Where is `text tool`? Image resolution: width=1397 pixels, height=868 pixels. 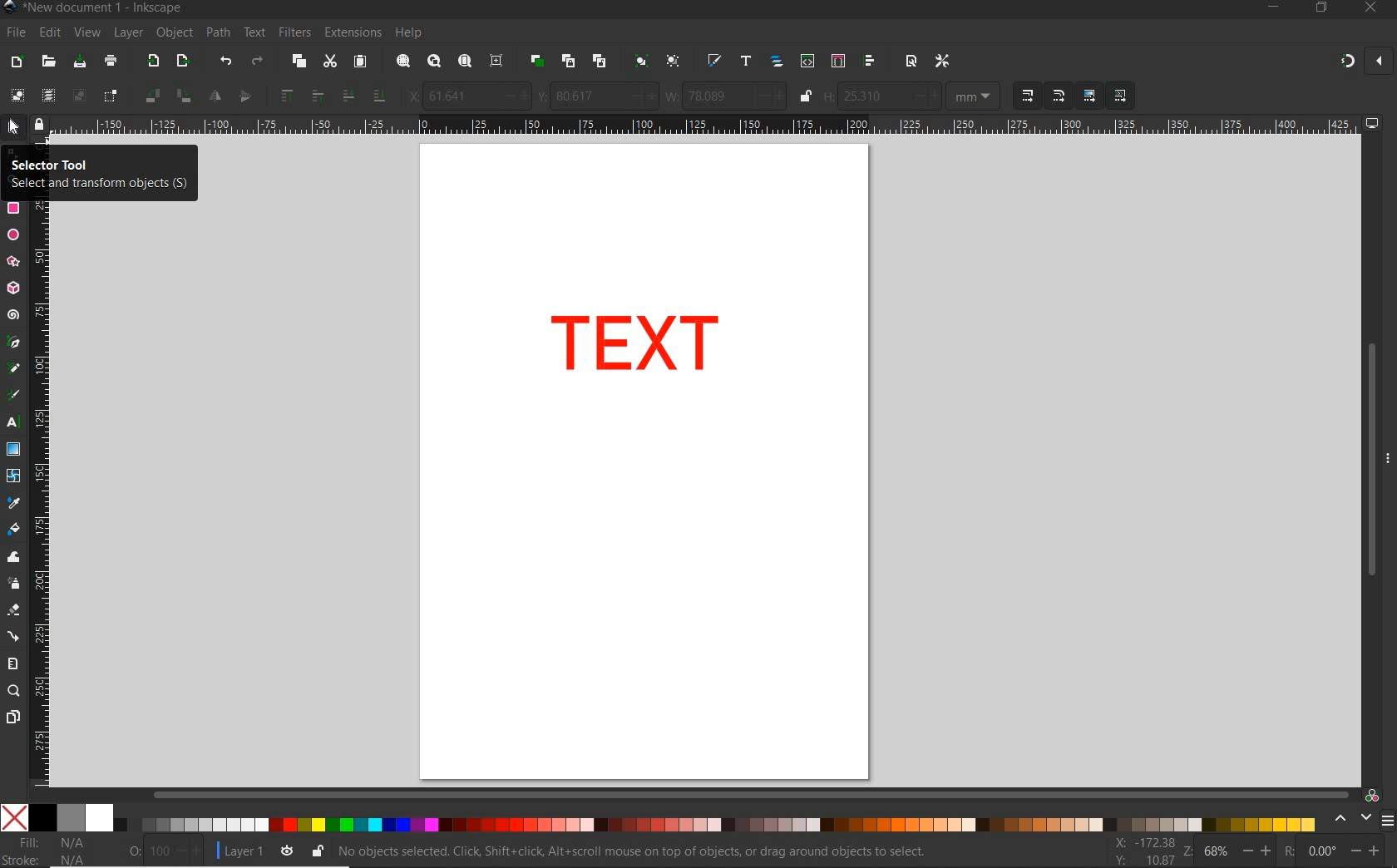
text tool is located at coordinates (15, 424).